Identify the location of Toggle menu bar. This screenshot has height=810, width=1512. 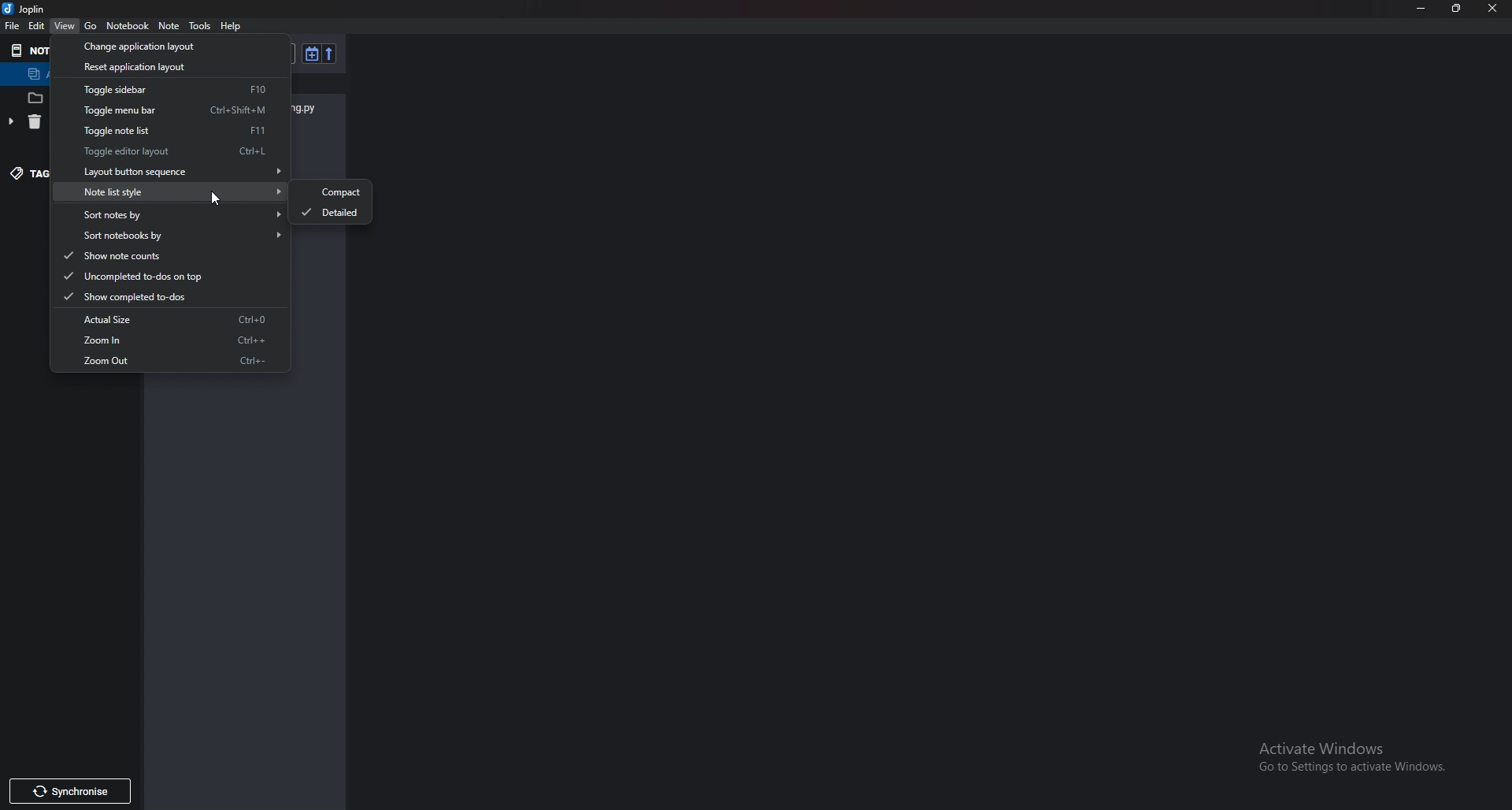
(175, 110).